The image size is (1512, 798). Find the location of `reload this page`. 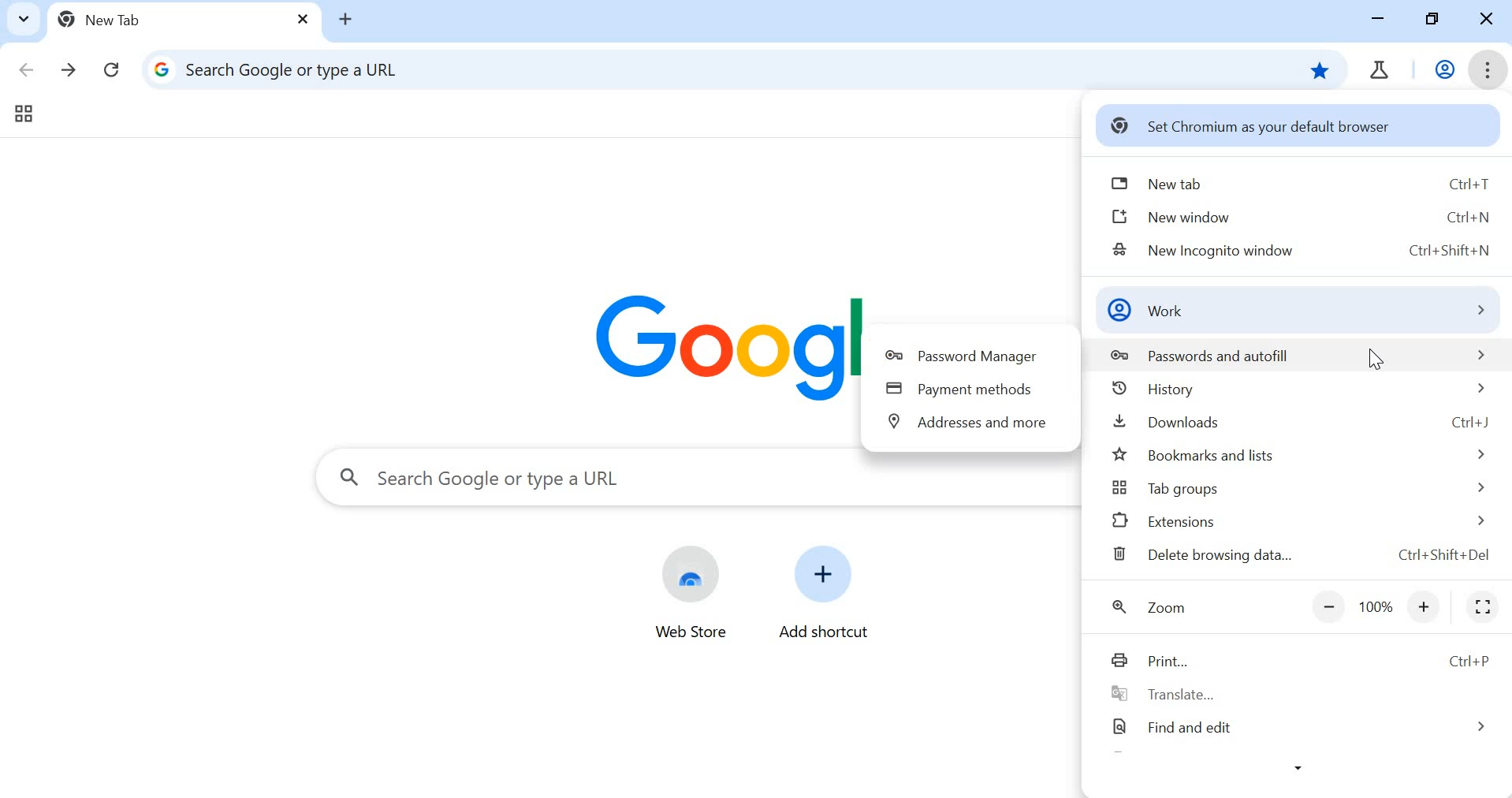

reload this page is located at coordinates (110, 68).